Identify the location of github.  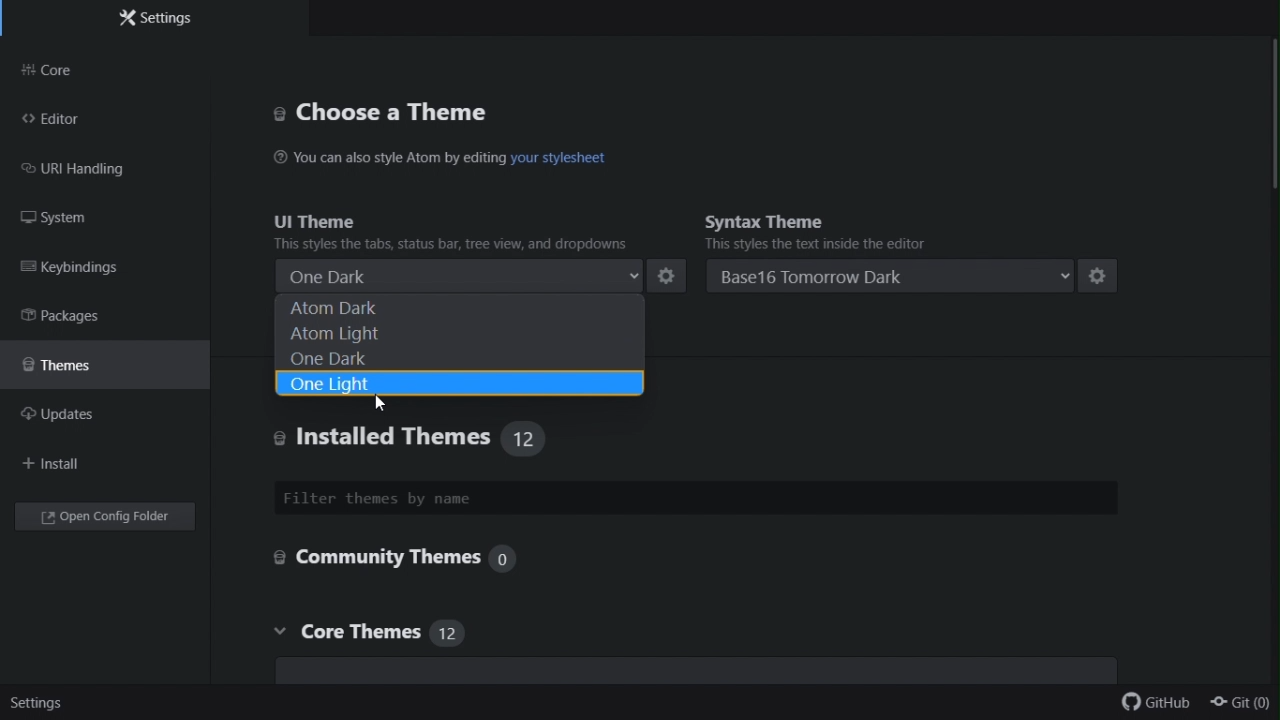
(1157, 706).